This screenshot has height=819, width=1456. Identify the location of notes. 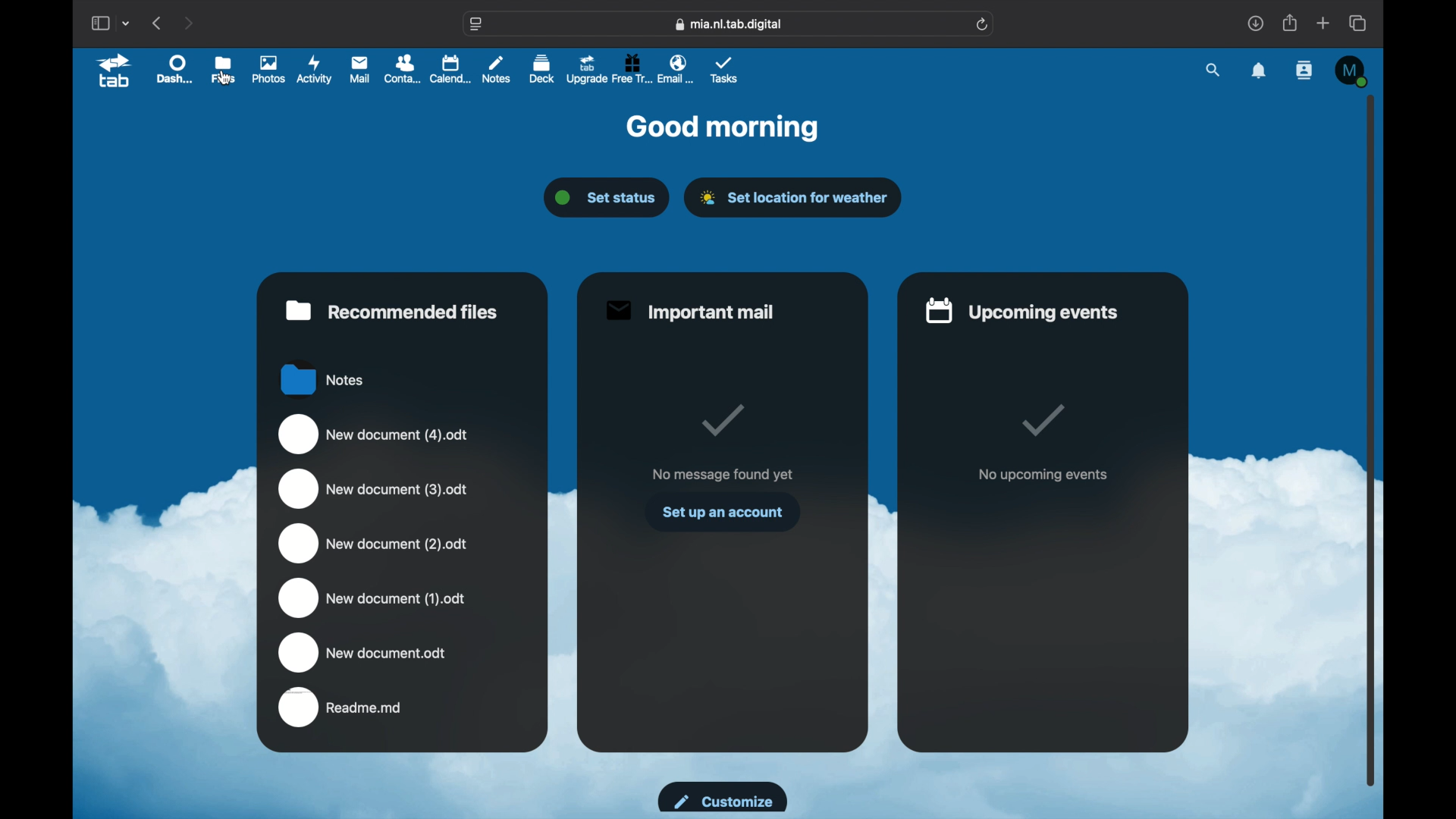
(323, 378).